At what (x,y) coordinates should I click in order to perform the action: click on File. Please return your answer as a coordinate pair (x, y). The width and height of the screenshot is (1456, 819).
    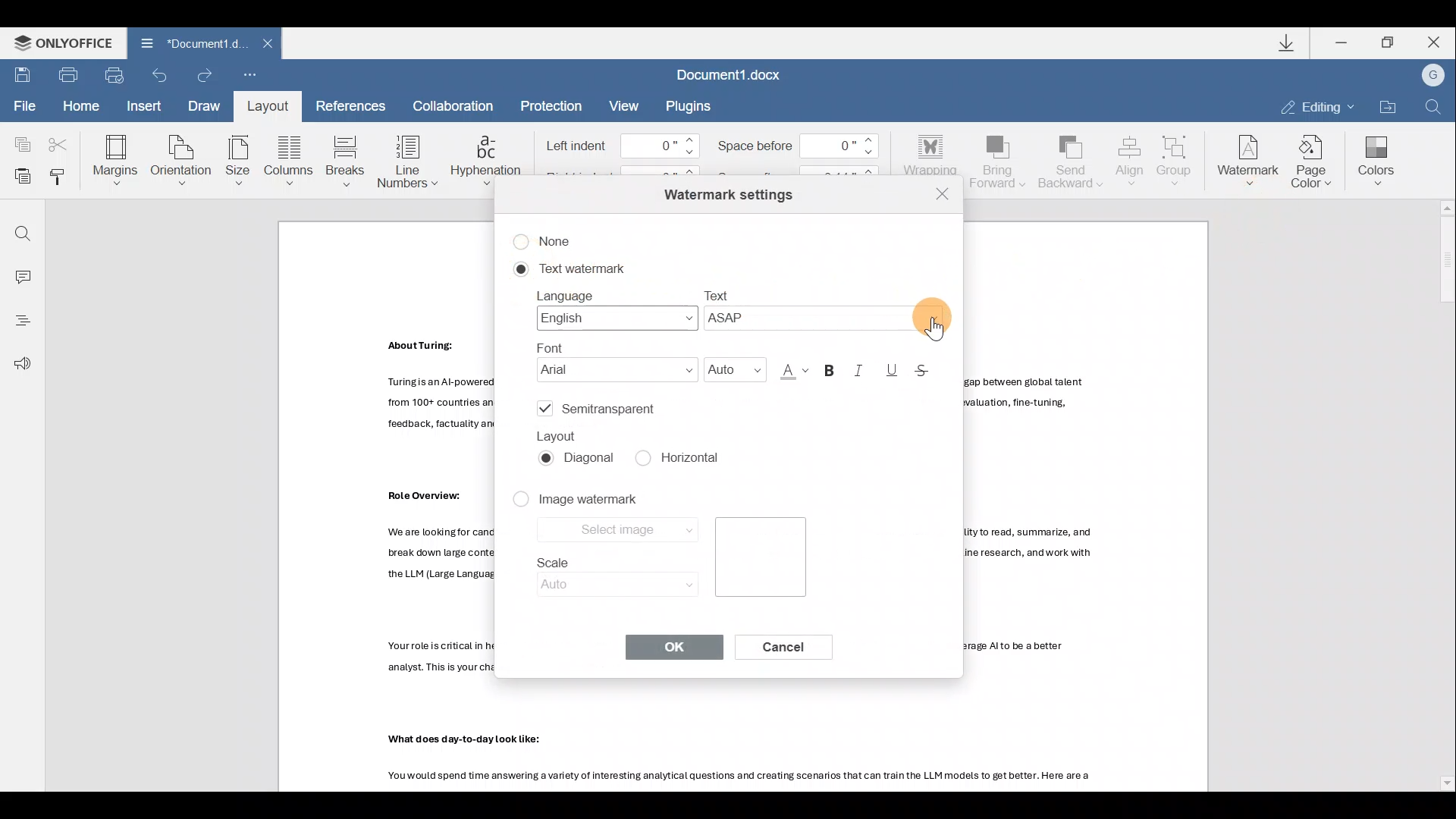
    Looking at the image, I should click on (21, 106).